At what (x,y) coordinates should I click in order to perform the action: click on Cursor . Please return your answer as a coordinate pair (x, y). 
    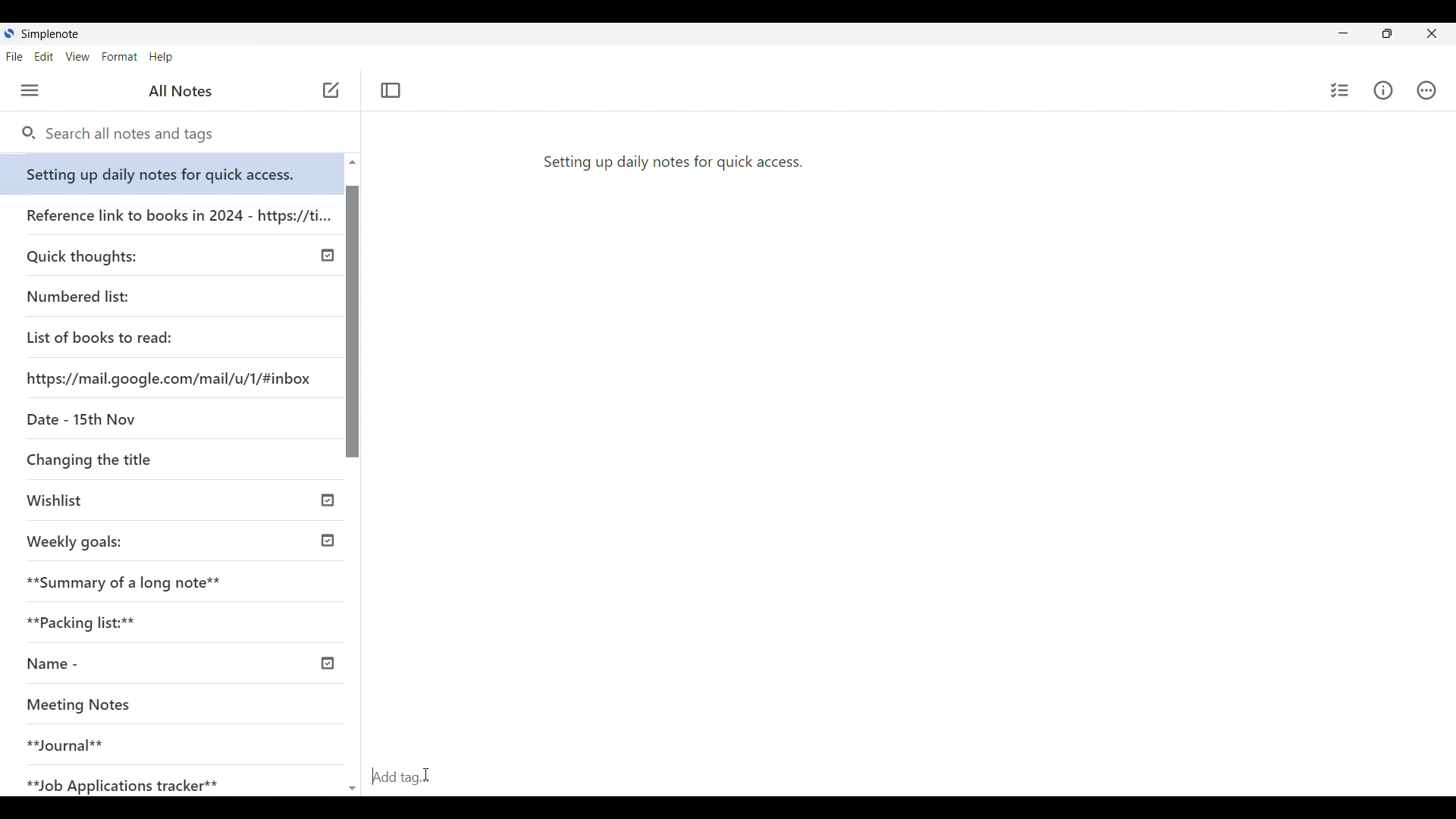
    Looking at the image, I should click on (426, 777).